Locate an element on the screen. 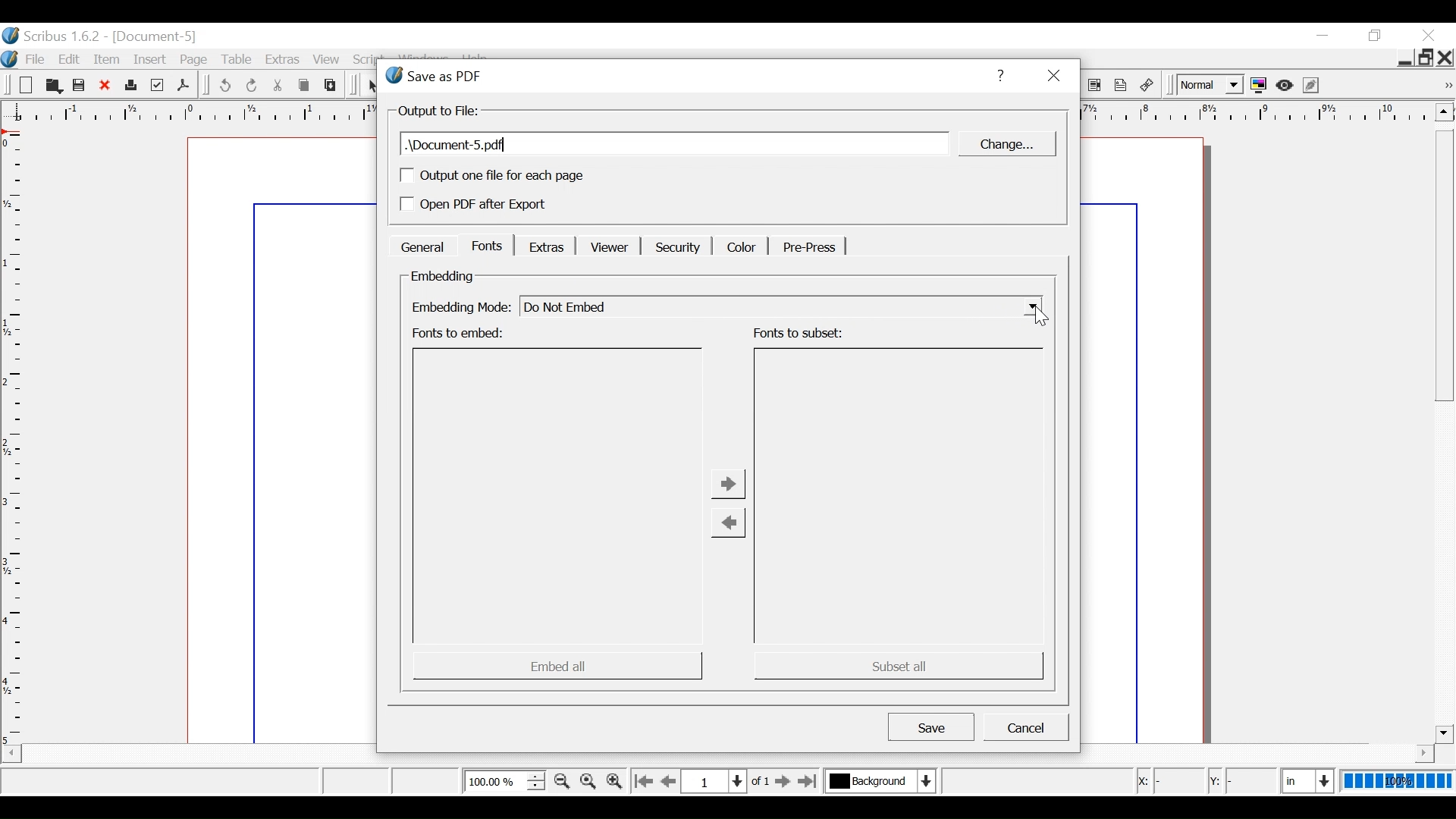  PDF List Box  is located at coordinates (1095, 86).